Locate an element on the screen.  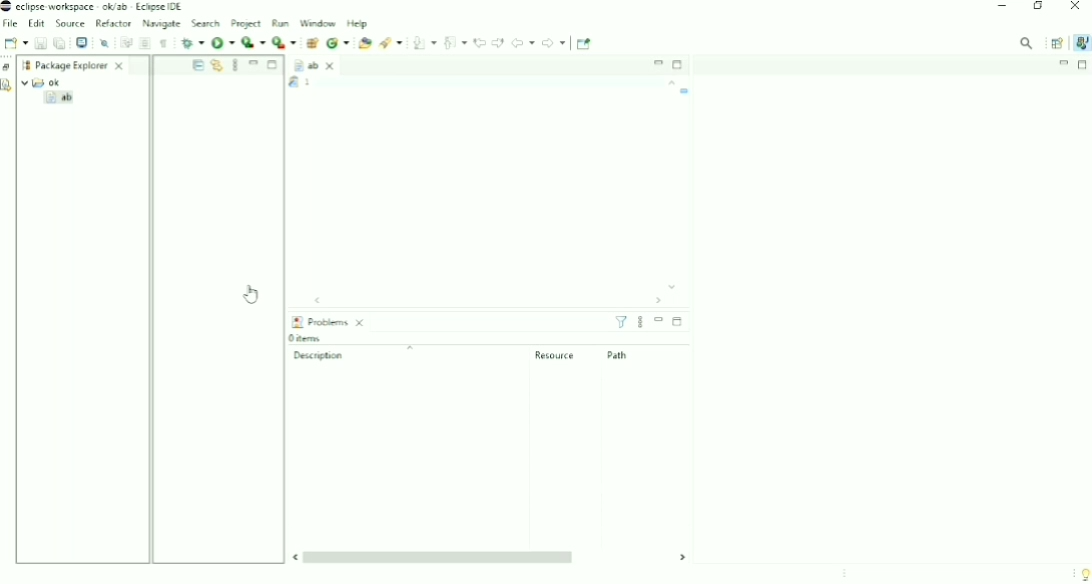
Window is located at coordinates (317, 23).